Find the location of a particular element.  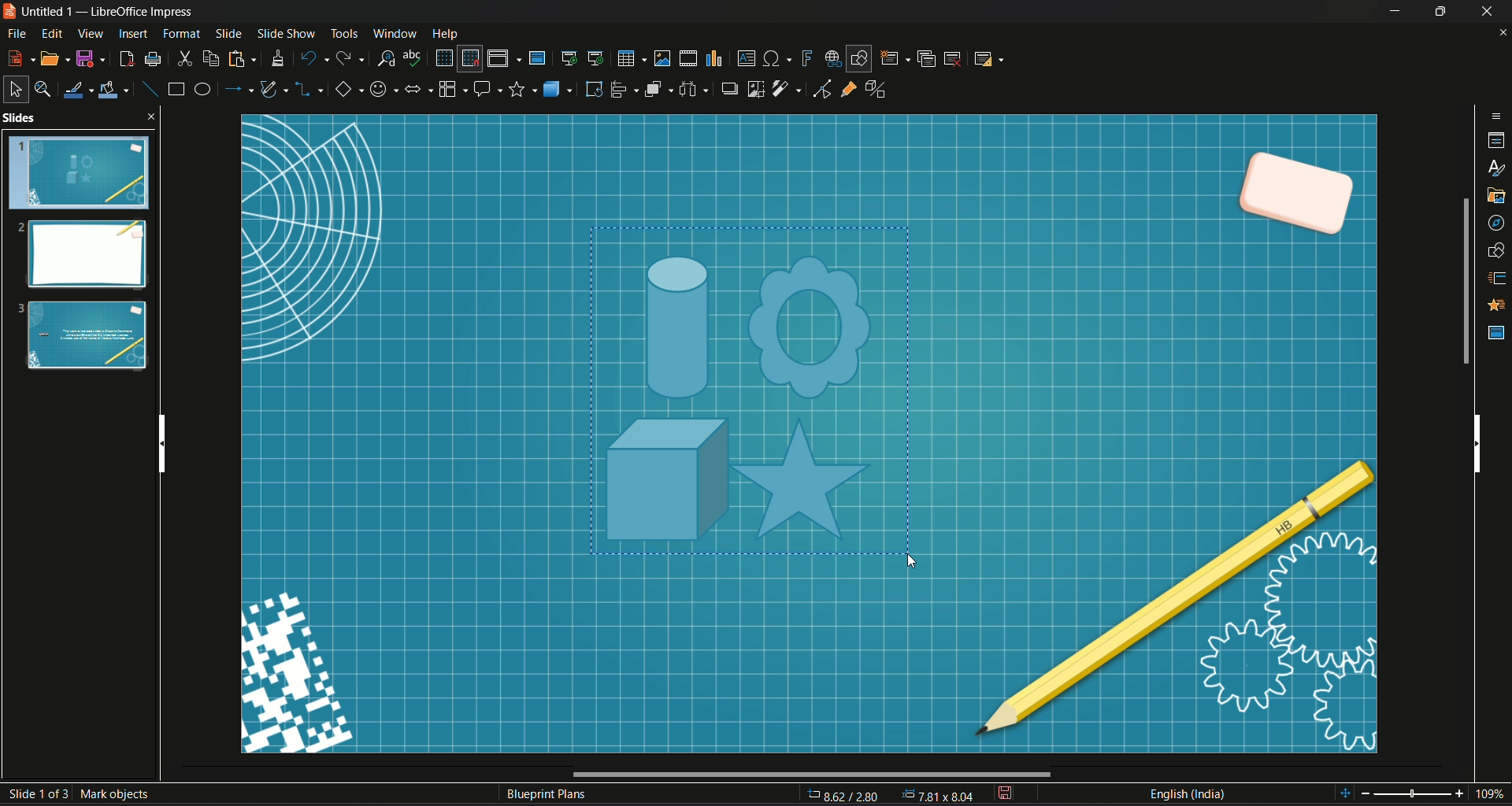

master slide is located at coordinates (536, 57).